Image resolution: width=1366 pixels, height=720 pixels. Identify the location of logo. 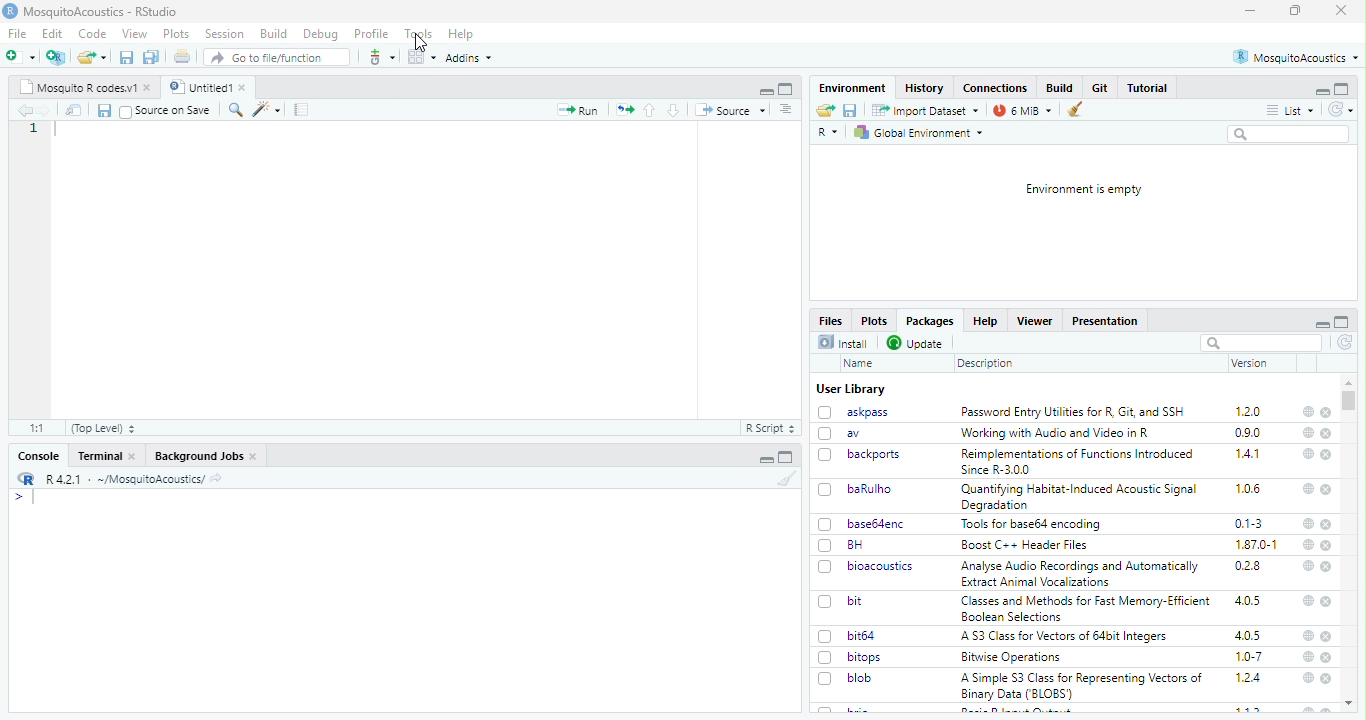
(27, 478).